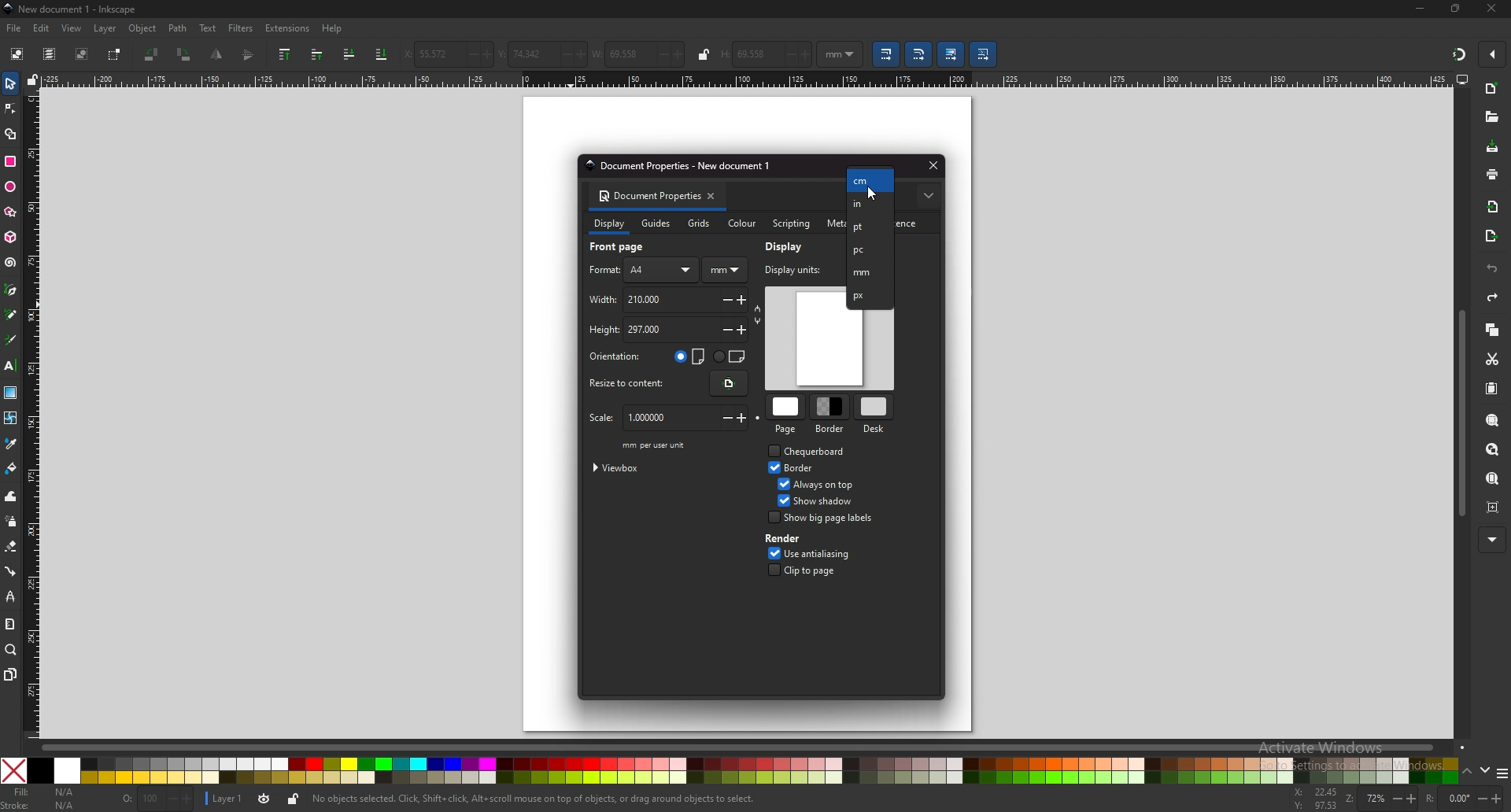 Image resolution: width=1511 pixels, height=812 pixels. I want to click on +, so click(1500, 798).